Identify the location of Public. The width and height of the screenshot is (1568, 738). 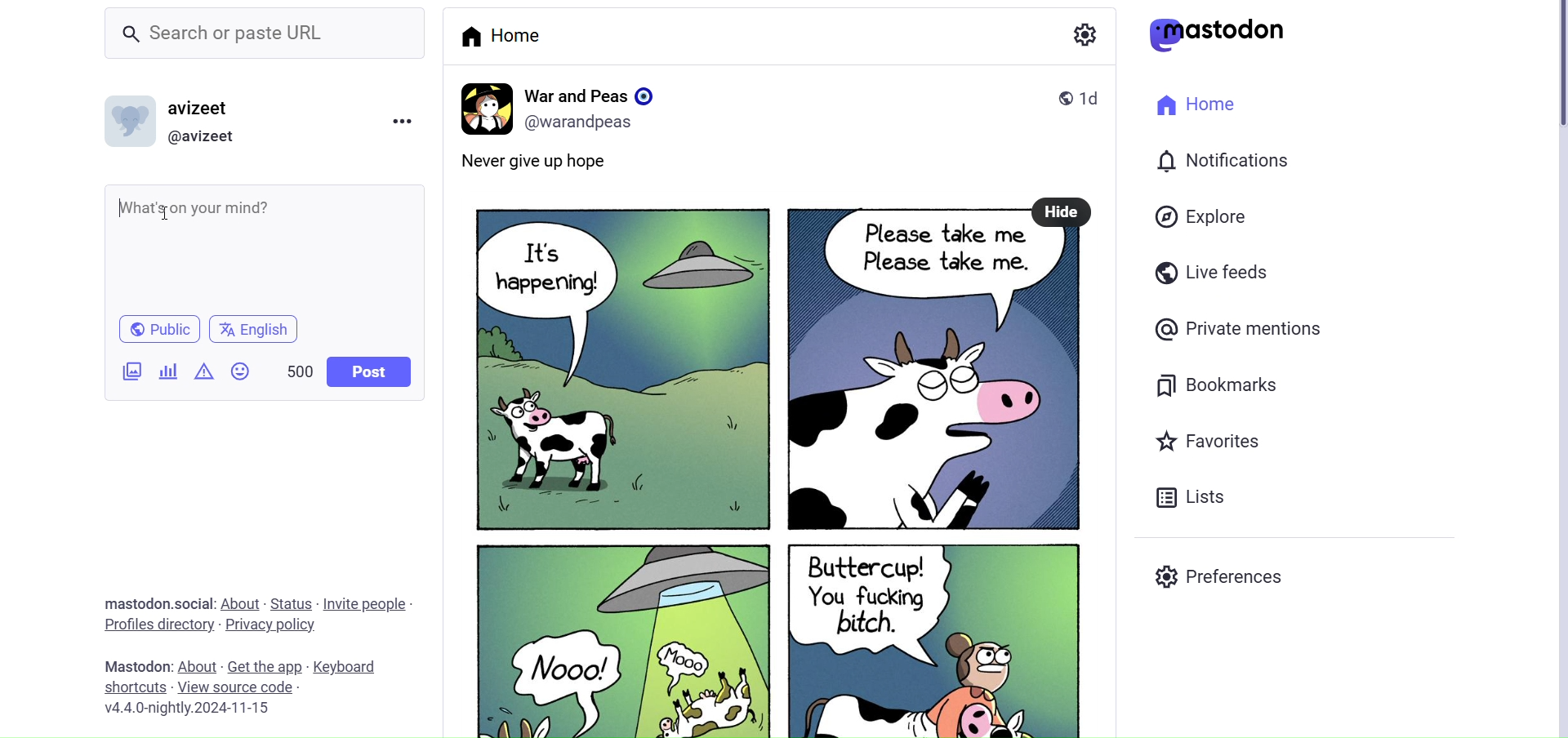
(155, 330).